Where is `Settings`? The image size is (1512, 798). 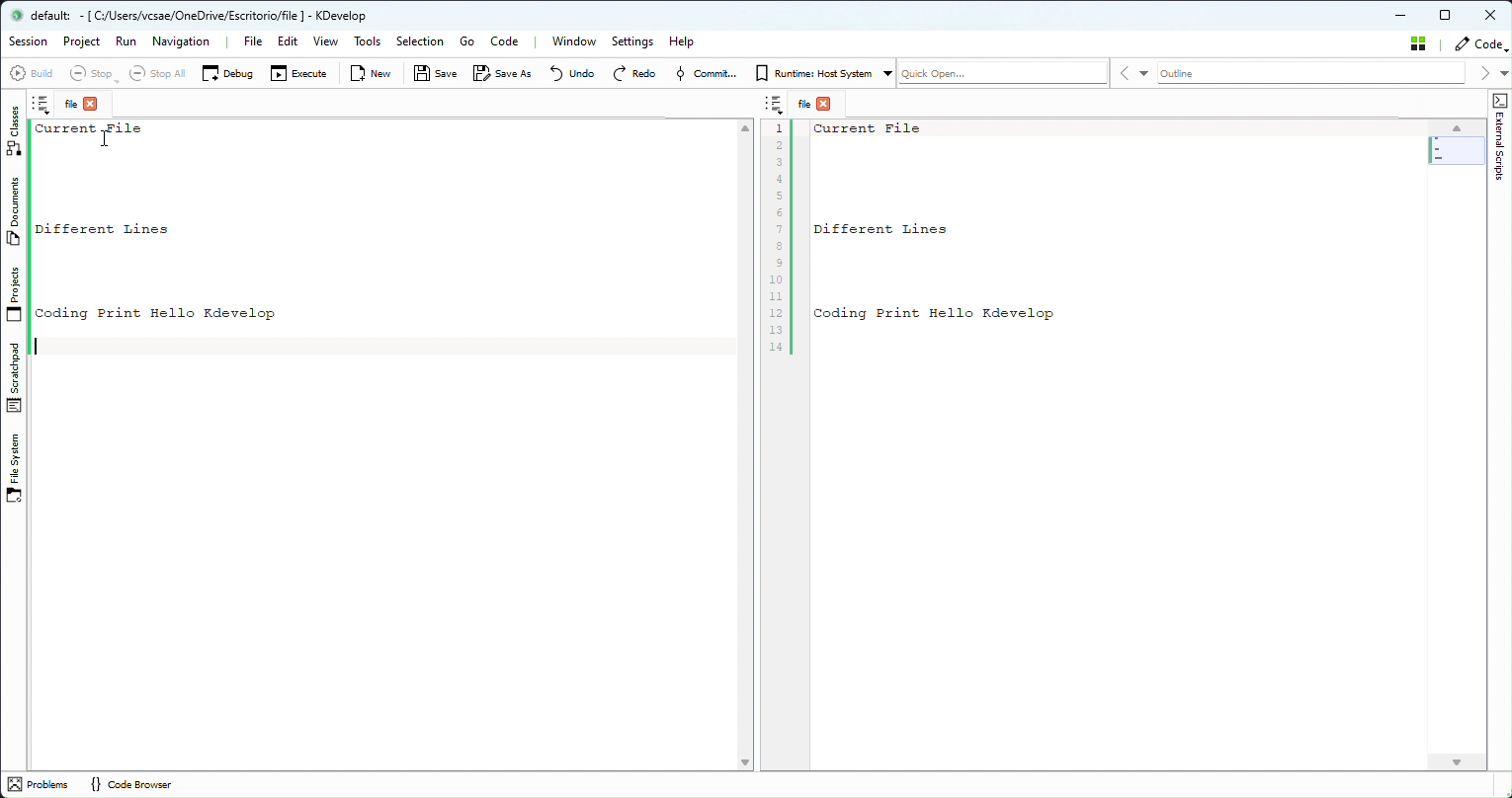 Settings is located at coordinates (638, 43).